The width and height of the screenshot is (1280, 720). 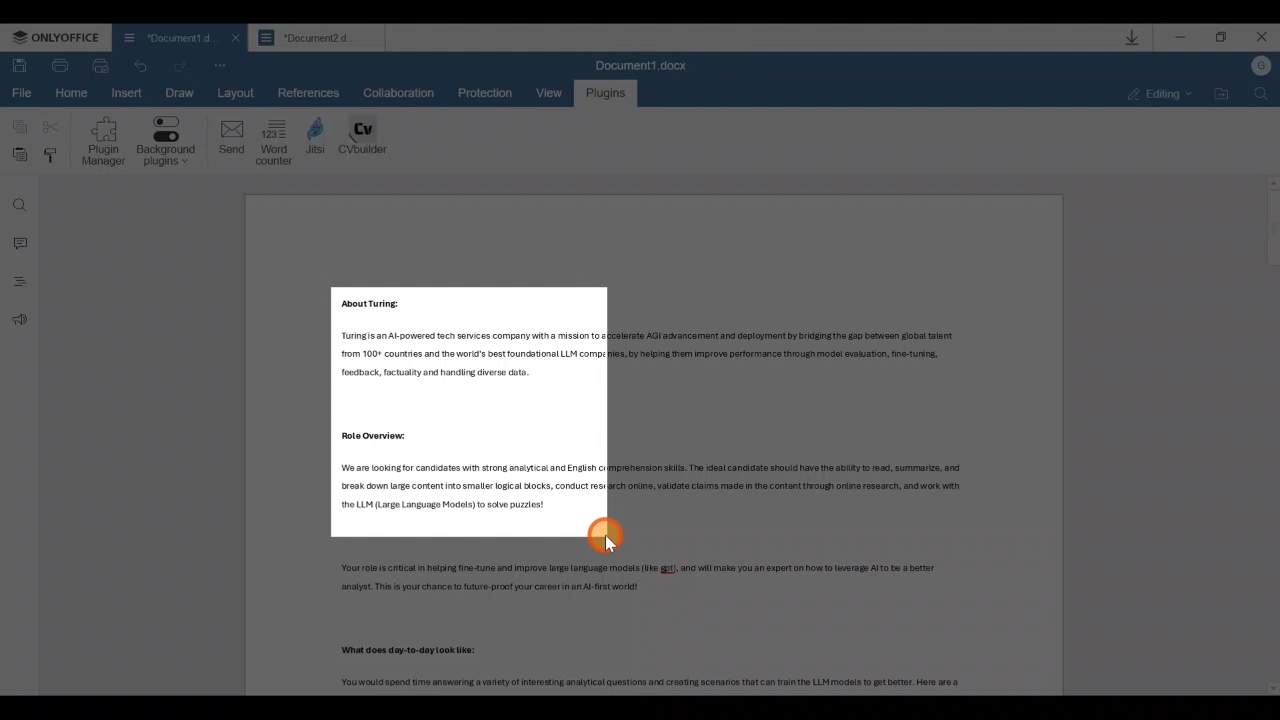 What do you see at coordinates (58, 39) in the screenshot?
I see `ONLYOFFICE` at bounding box center [58, 39].